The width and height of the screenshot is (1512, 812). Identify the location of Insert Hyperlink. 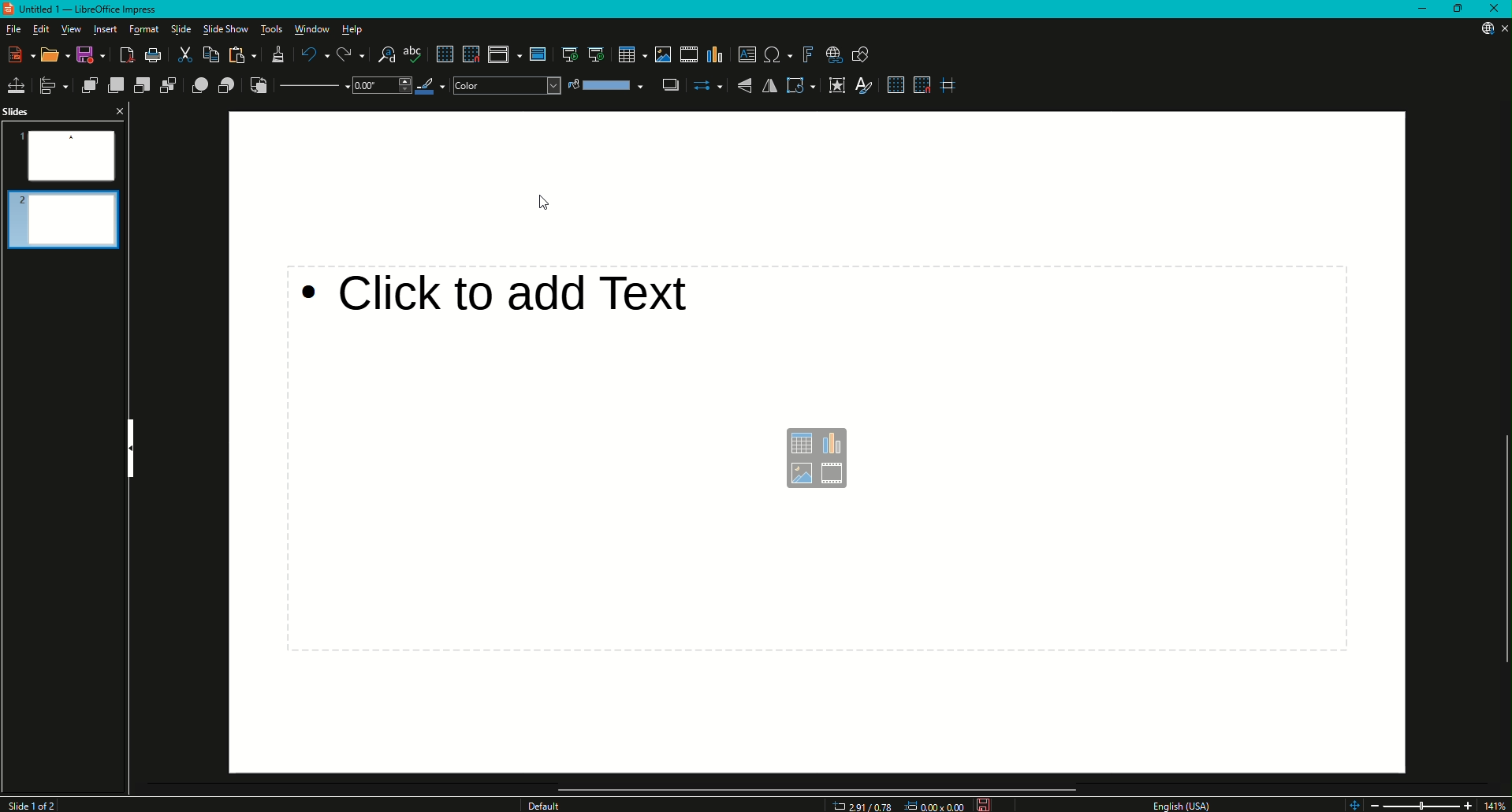
(835, 55).